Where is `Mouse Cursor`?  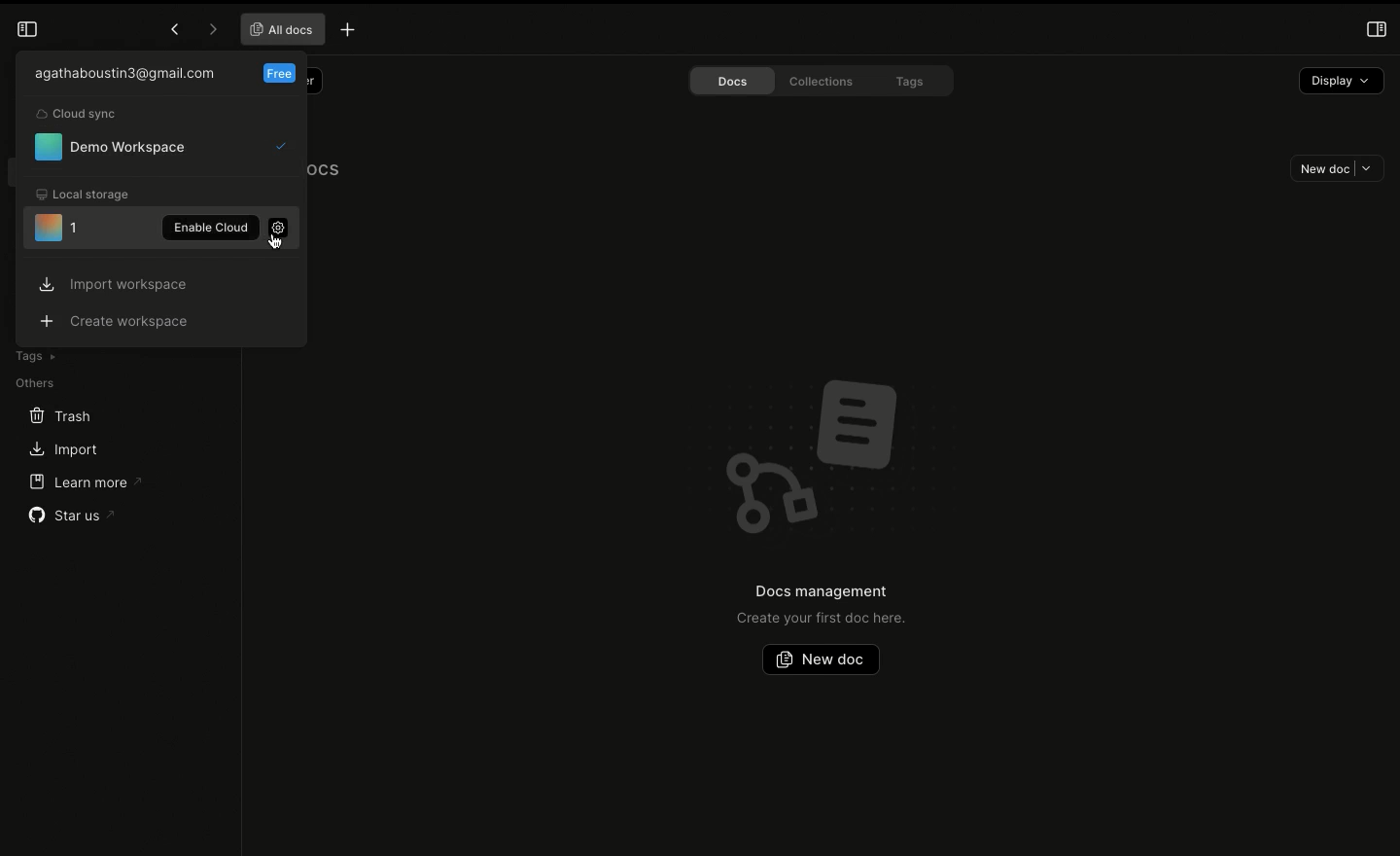 Mouse Cursor is located at coordinates (281, 246).